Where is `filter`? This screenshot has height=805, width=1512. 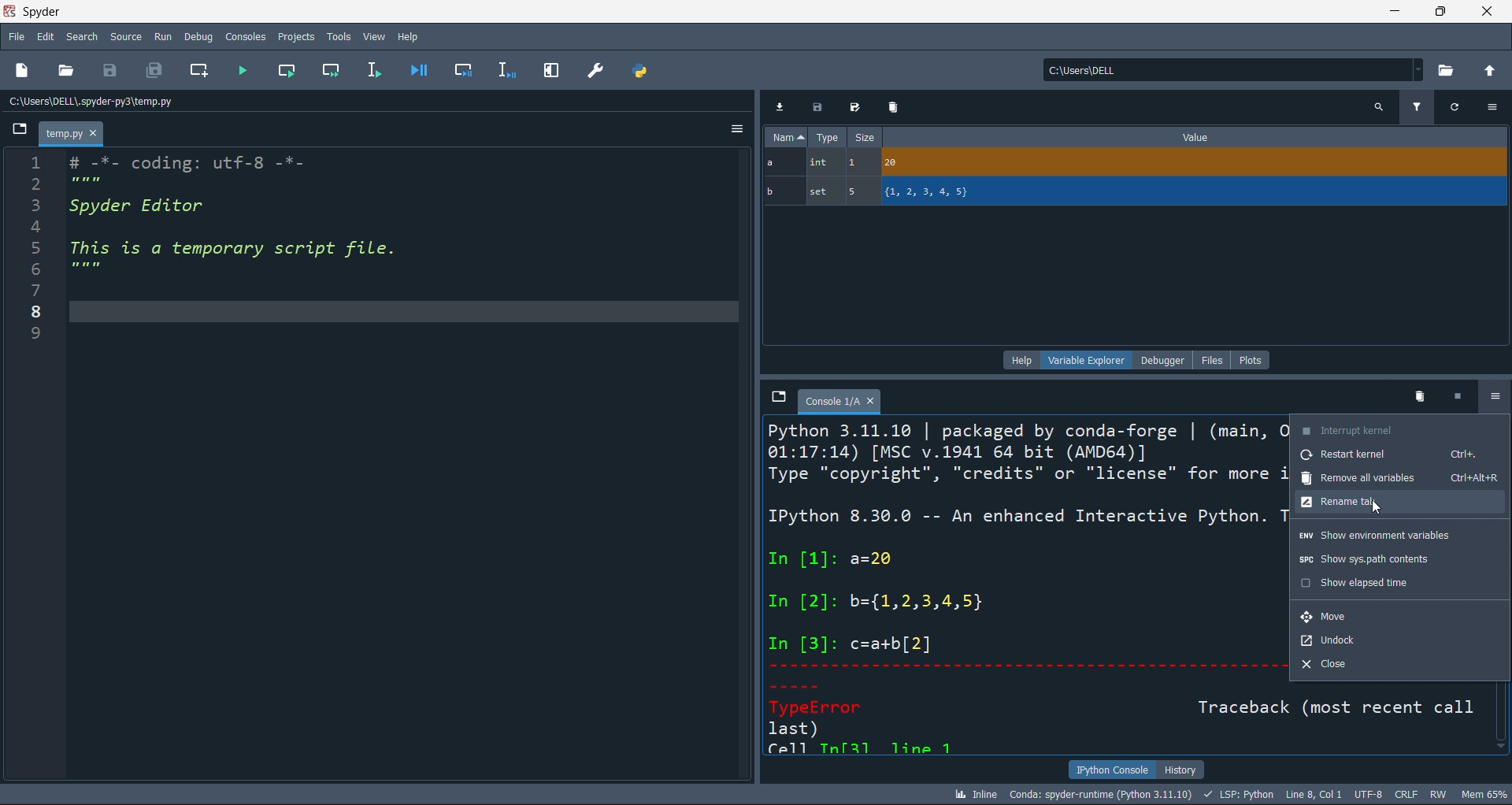
filter is located at coordinates (1416, 106).